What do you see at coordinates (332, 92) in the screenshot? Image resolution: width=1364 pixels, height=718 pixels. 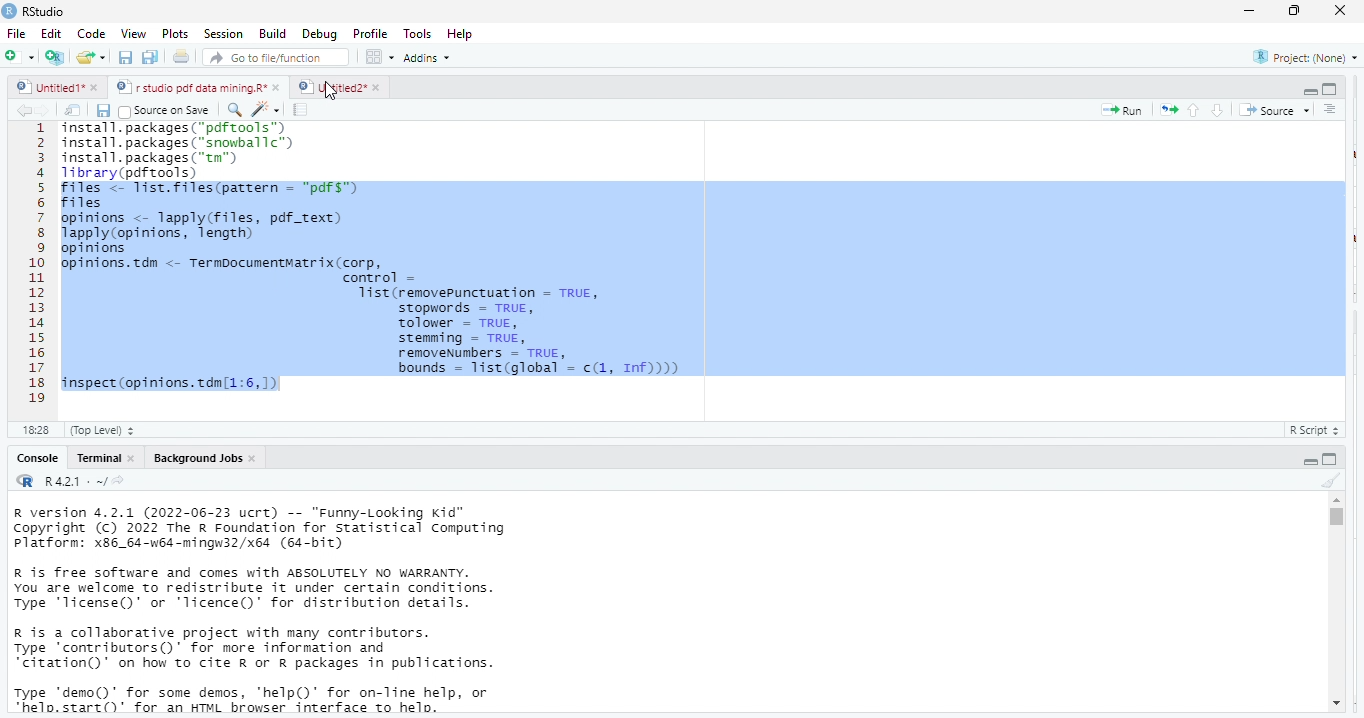 I see `cursor movement` at bounding box center [332, 92].